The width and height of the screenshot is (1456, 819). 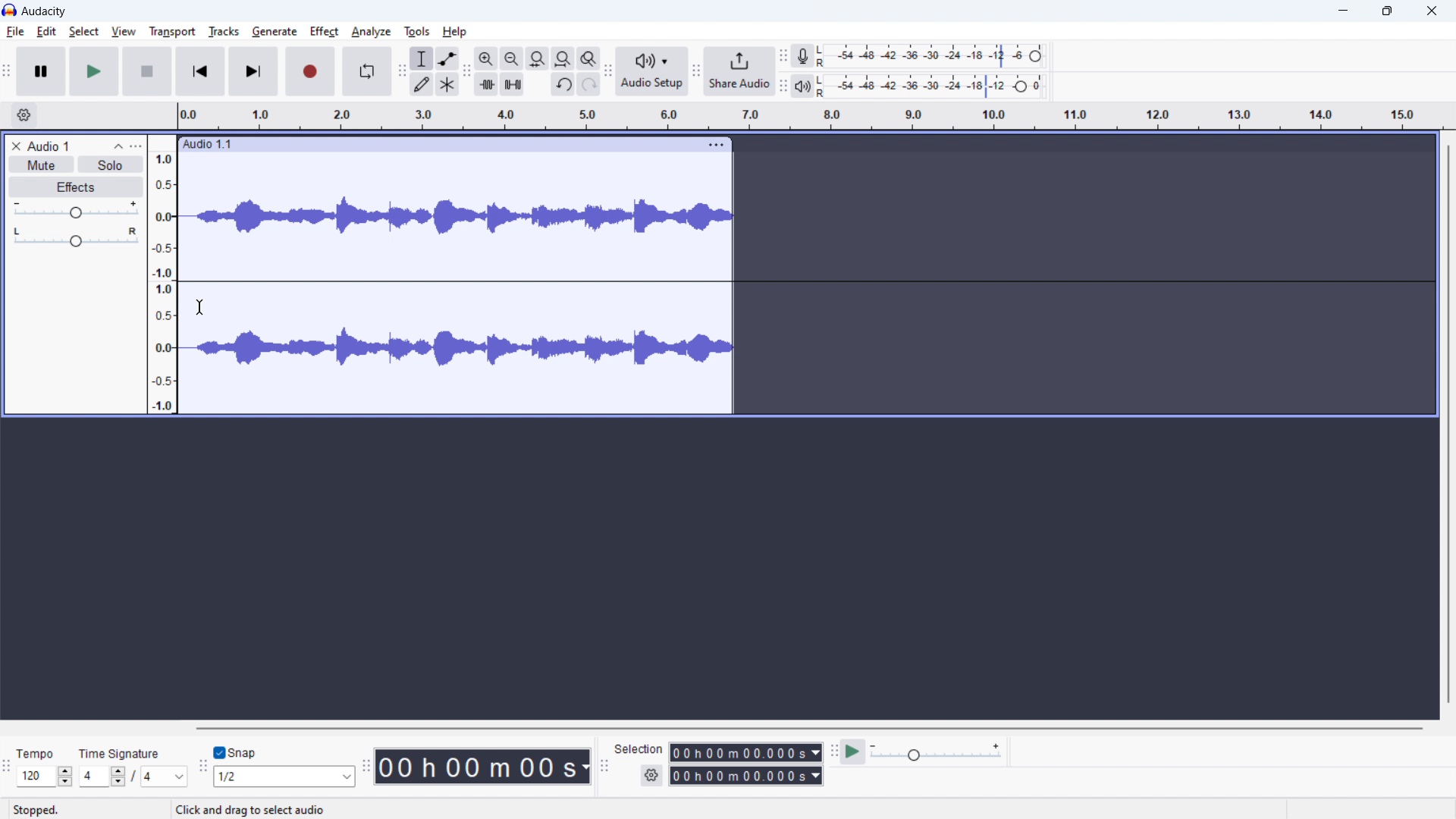 What do you see at coordinates (7, 769) in the screenshot?
I see `time signature toolbar` at bounding box center [7, 769].